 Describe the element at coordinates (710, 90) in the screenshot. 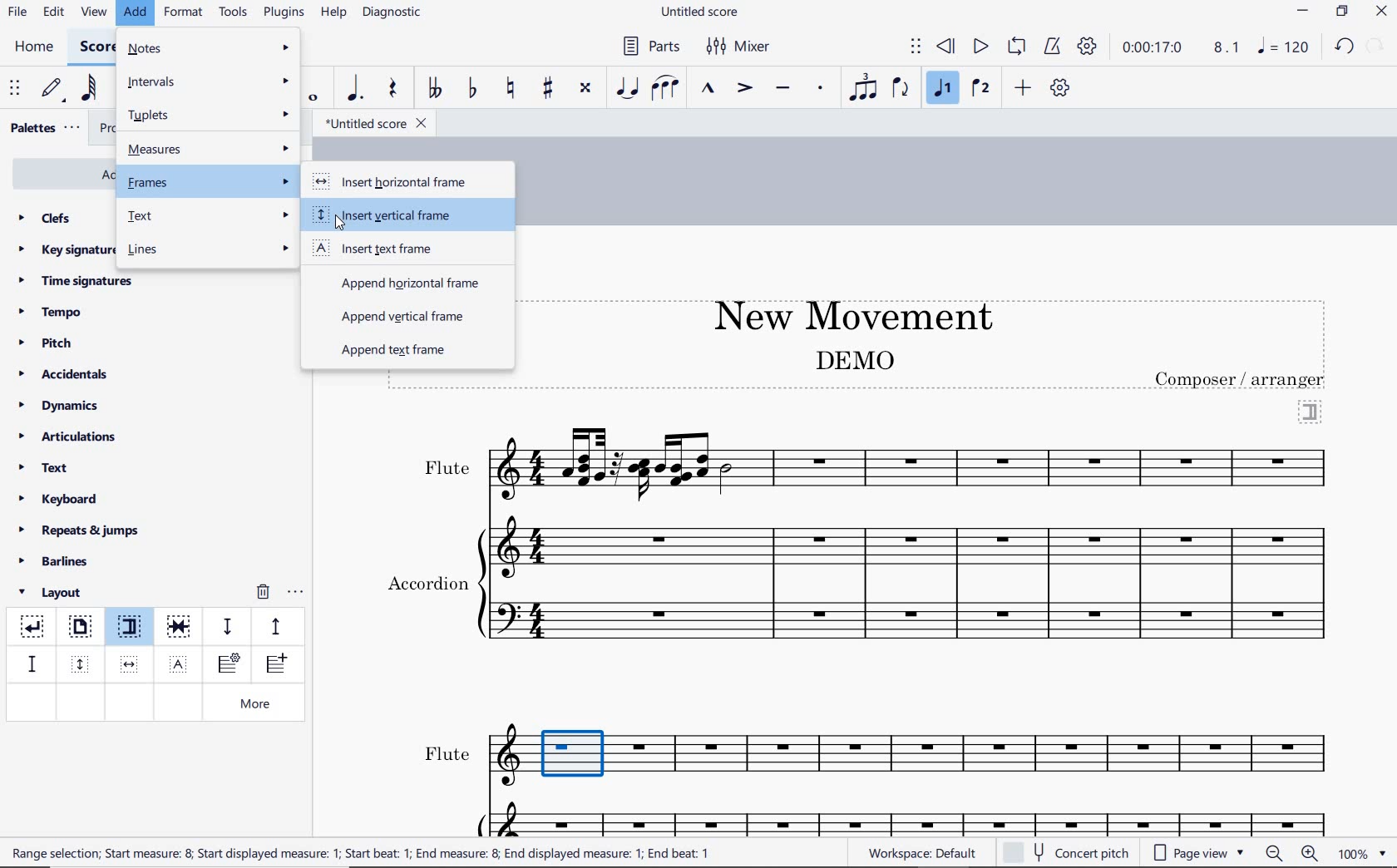

I see `marcato` at that location.